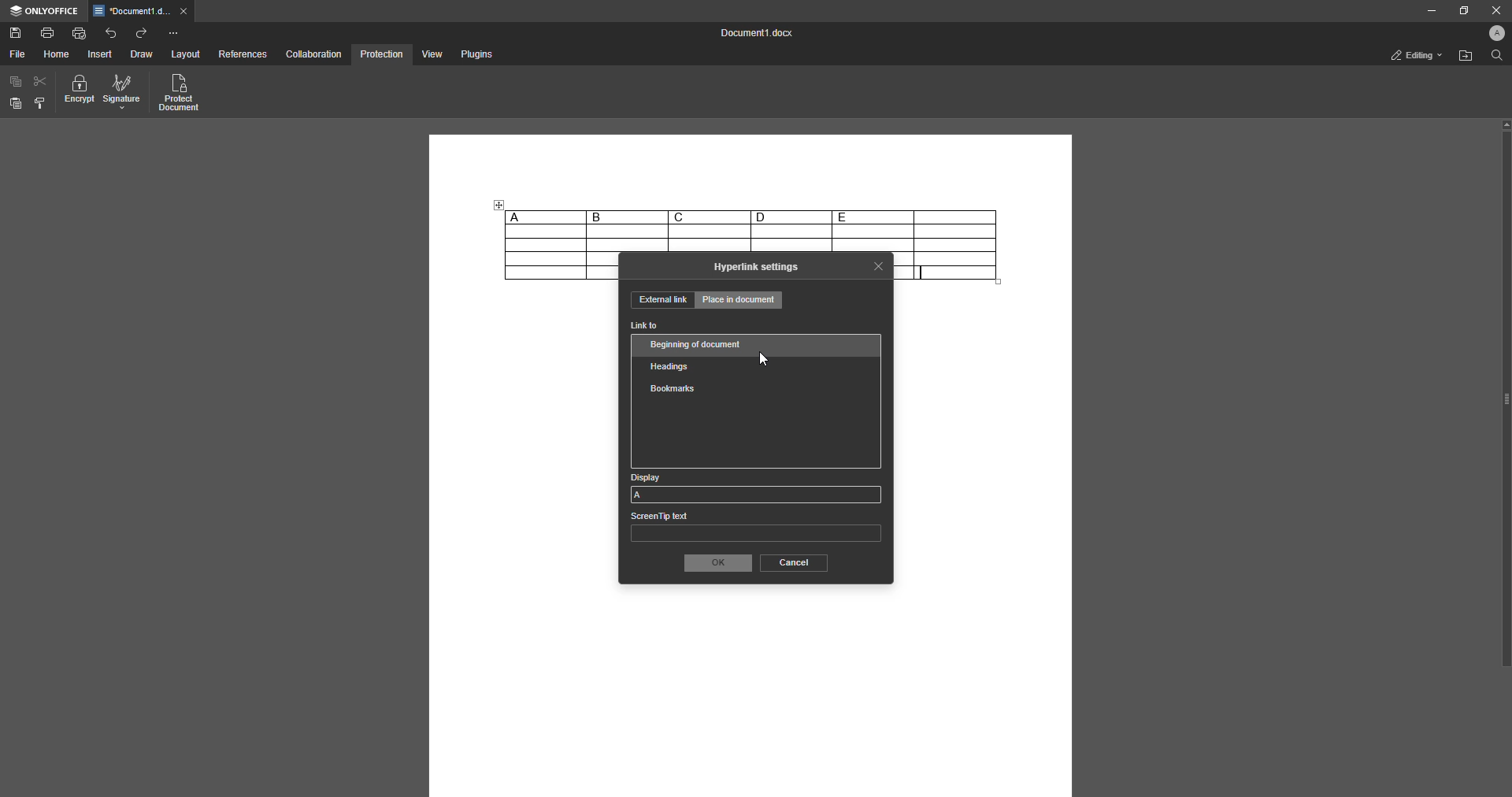  Describe the element at coordinates (16, 82) in the screenshot. I see `Copy` at that location.